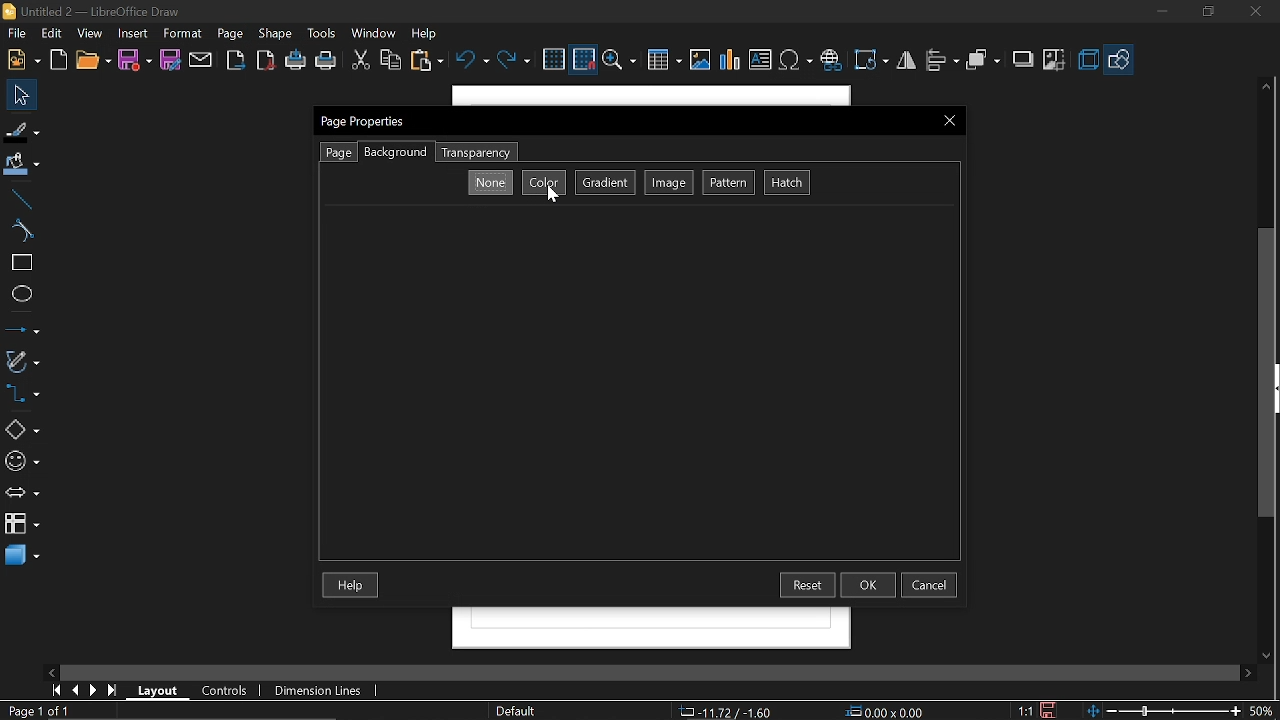 This screenshot has height=720, width=1280. What do you see at coordinates (38, 711) in the screenshot?
I see `Current page` at bounding box center [38, 711].